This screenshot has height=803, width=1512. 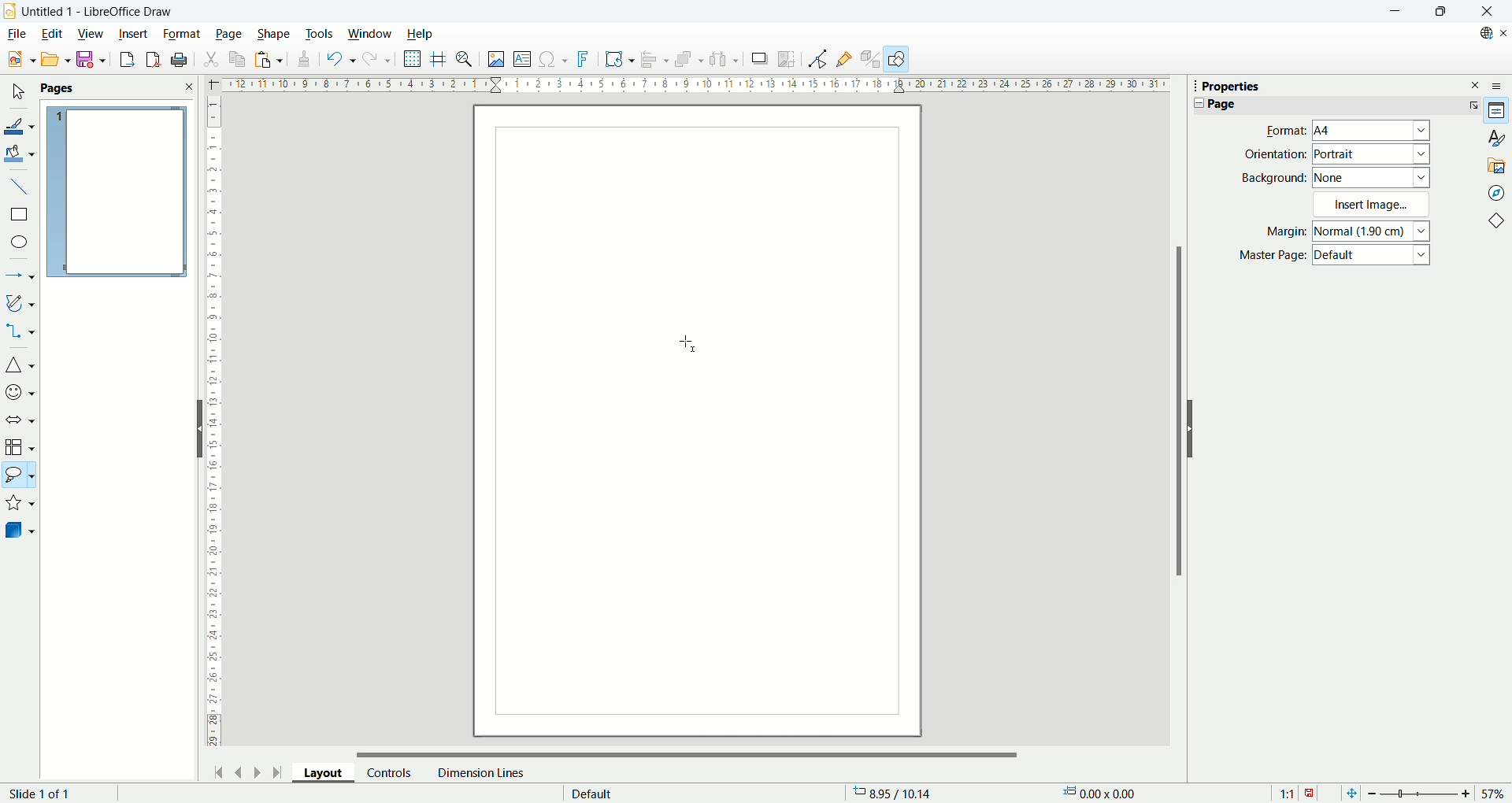 What do you see at coordinates (123, 59) in the screenshot?
I see `export` at bounding box center [123, 59].